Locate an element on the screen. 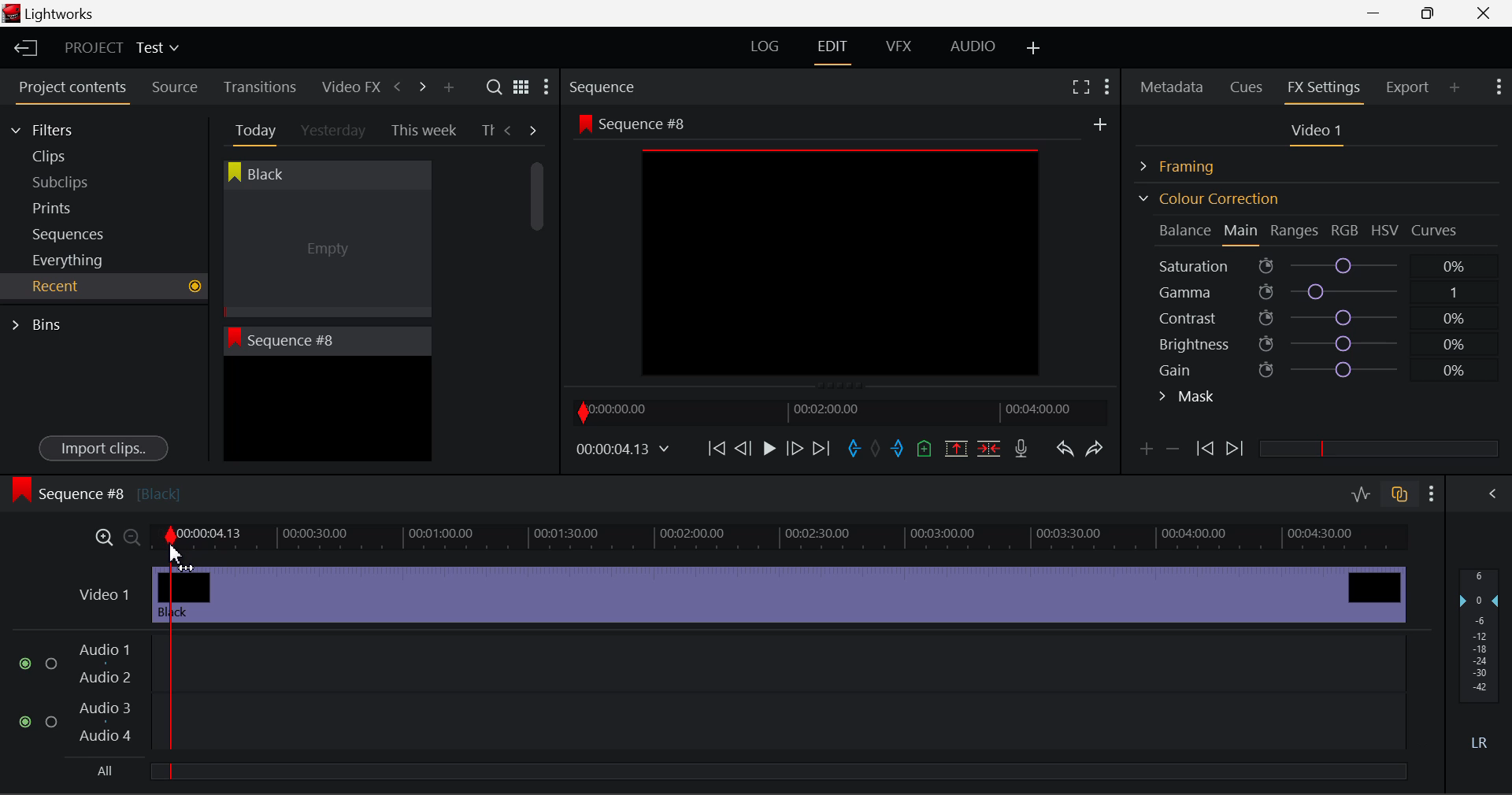 This screenshot has height=795, width=1512. Next keyframe is located at coordinates (1236, 449).